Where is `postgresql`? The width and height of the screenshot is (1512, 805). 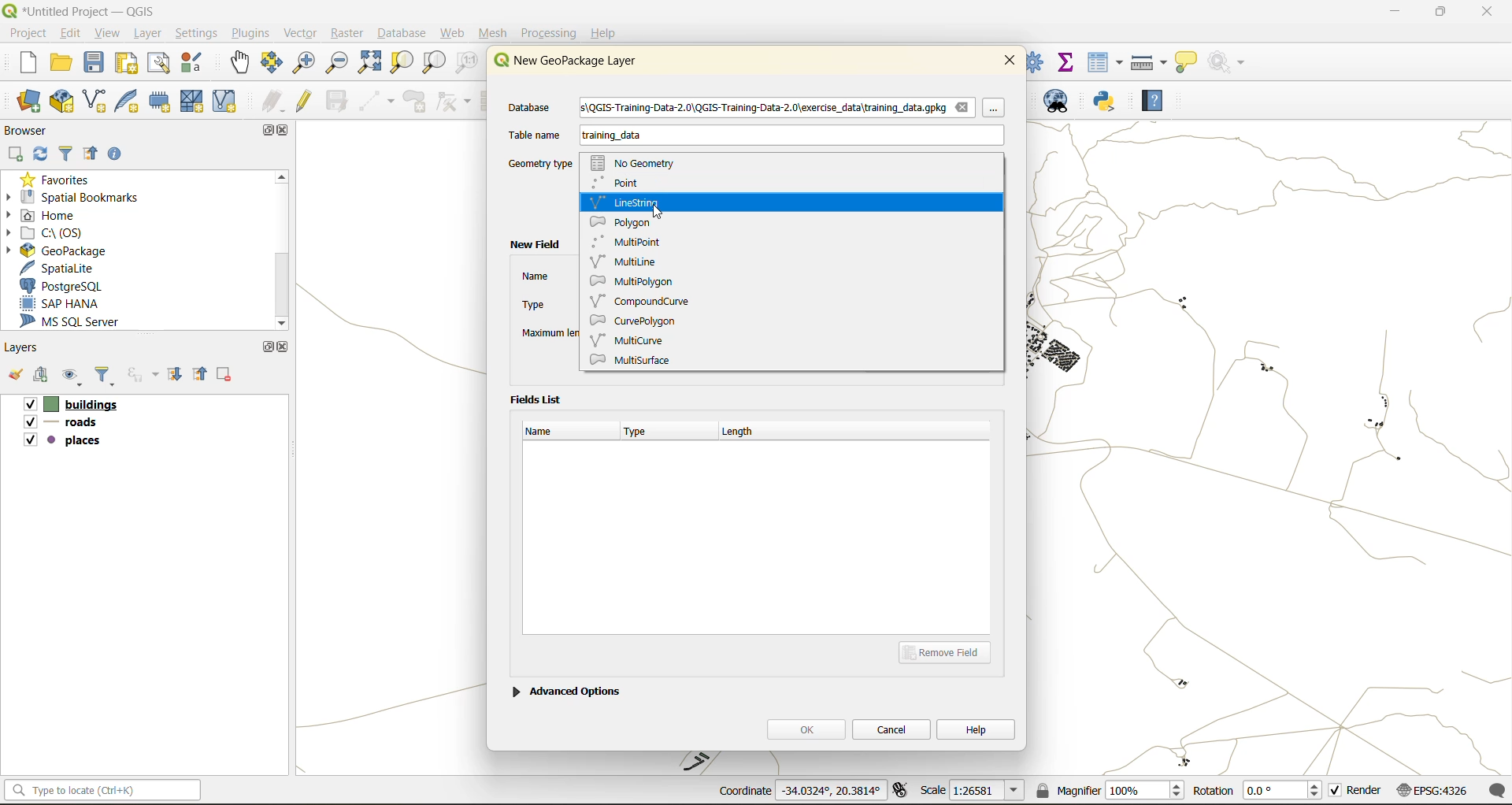
postgresql is located at coordinates (73, 286).